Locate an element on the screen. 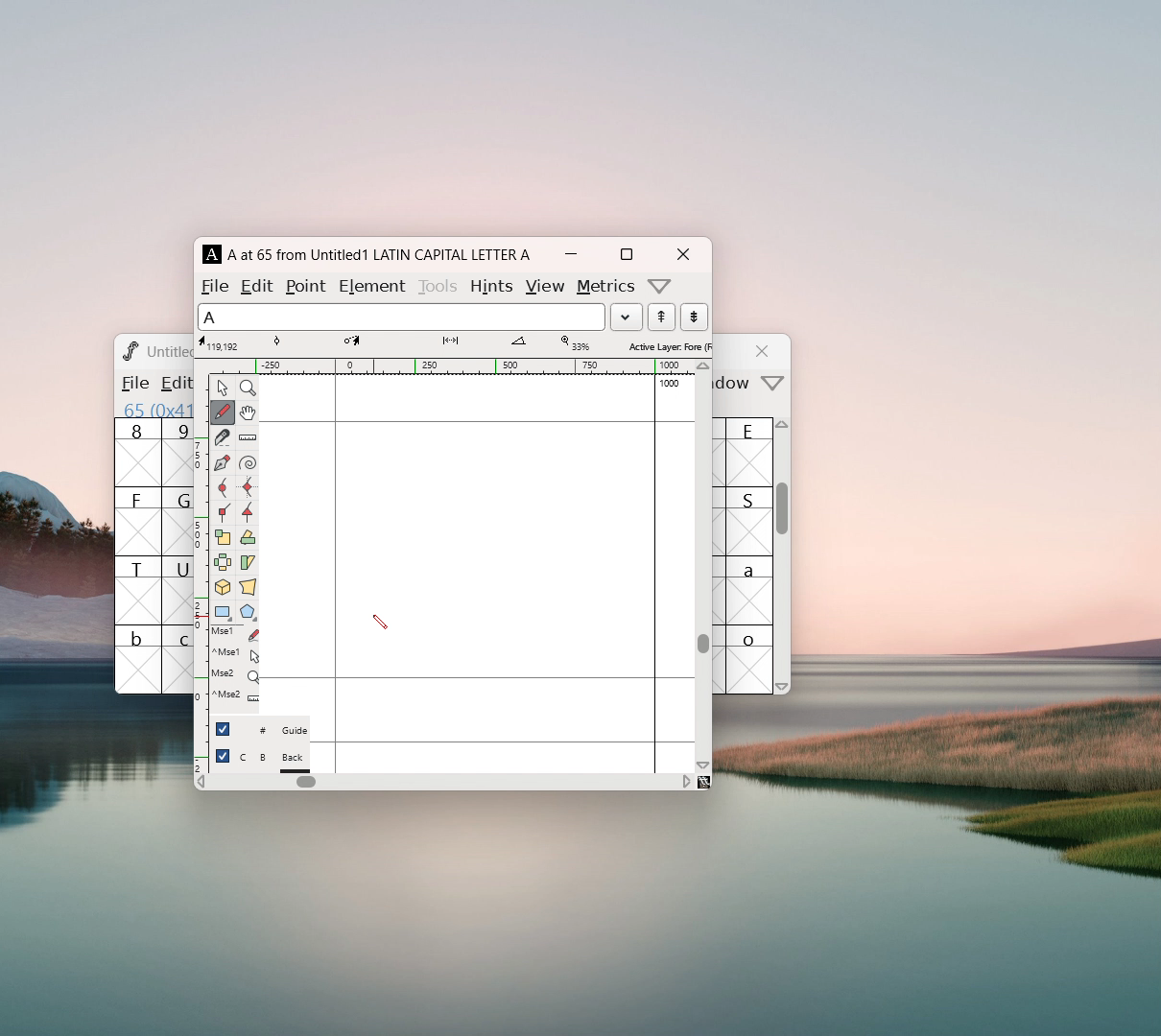 The image size is (1161, 1036). close is located at coordinates (765, 351).